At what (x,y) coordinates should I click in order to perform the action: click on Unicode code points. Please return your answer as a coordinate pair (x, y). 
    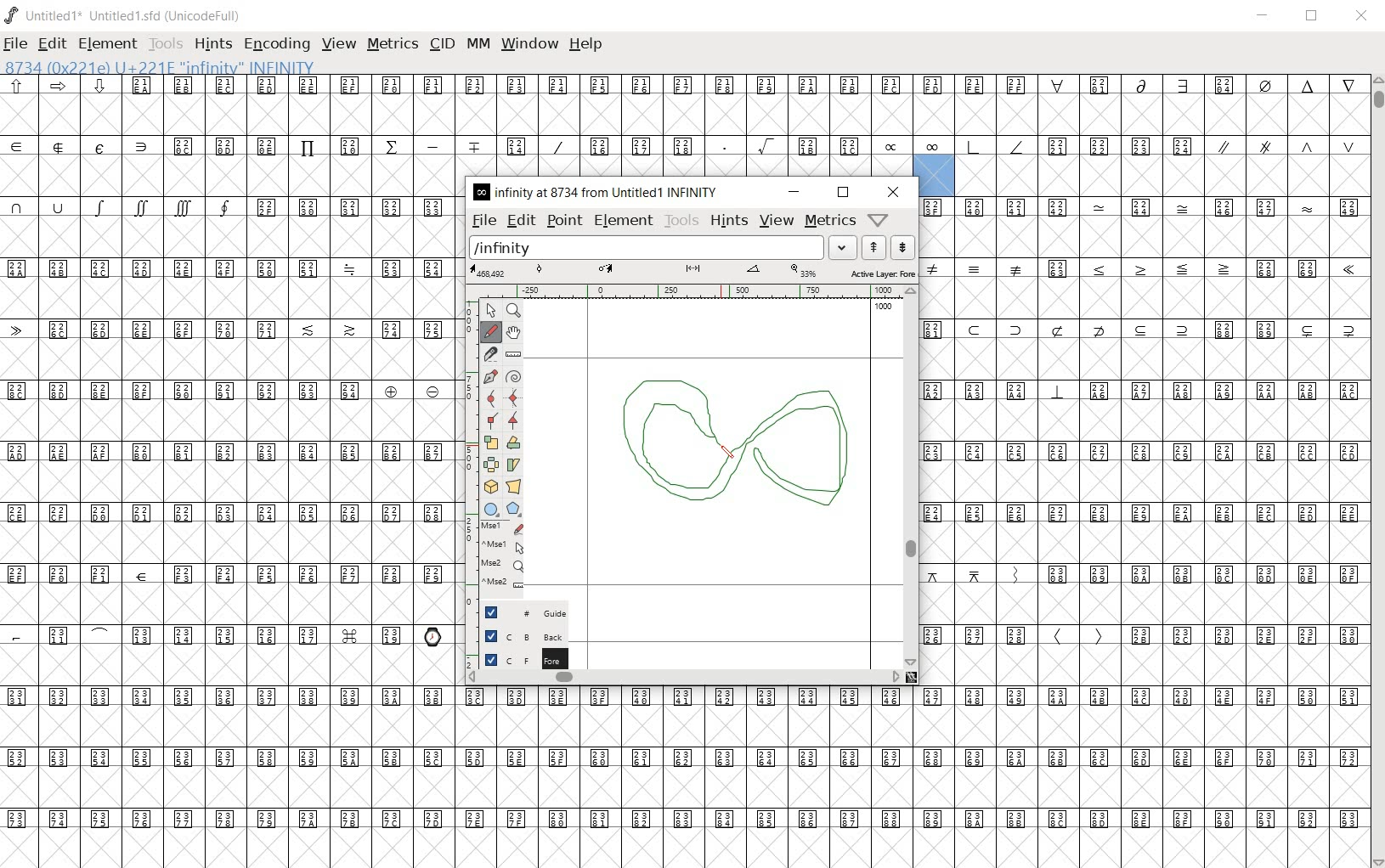
    Looking at the image, I should click on (1062, 268).